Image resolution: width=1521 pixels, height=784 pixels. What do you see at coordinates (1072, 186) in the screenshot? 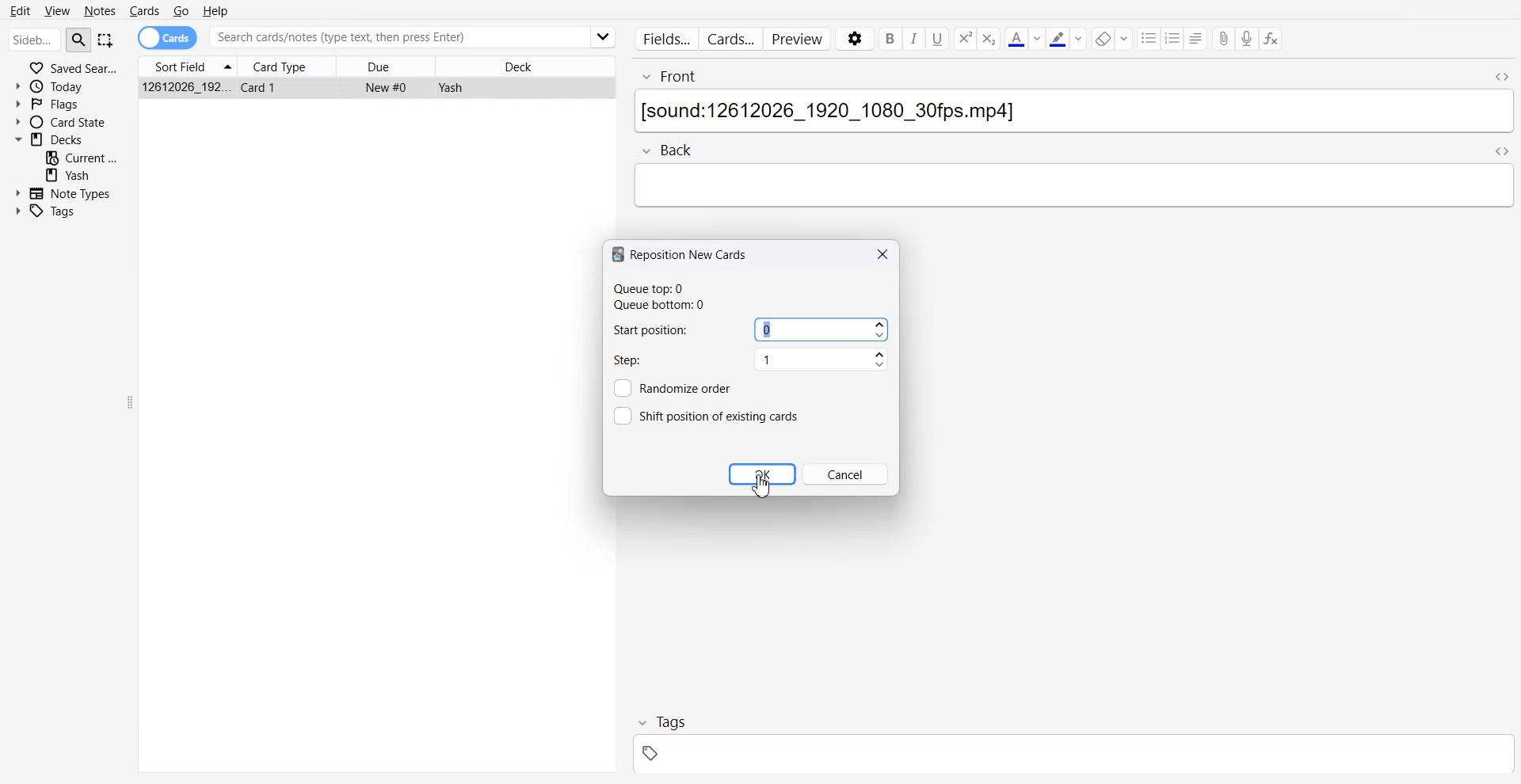
I see `type` at bounding box center [1072, 186].